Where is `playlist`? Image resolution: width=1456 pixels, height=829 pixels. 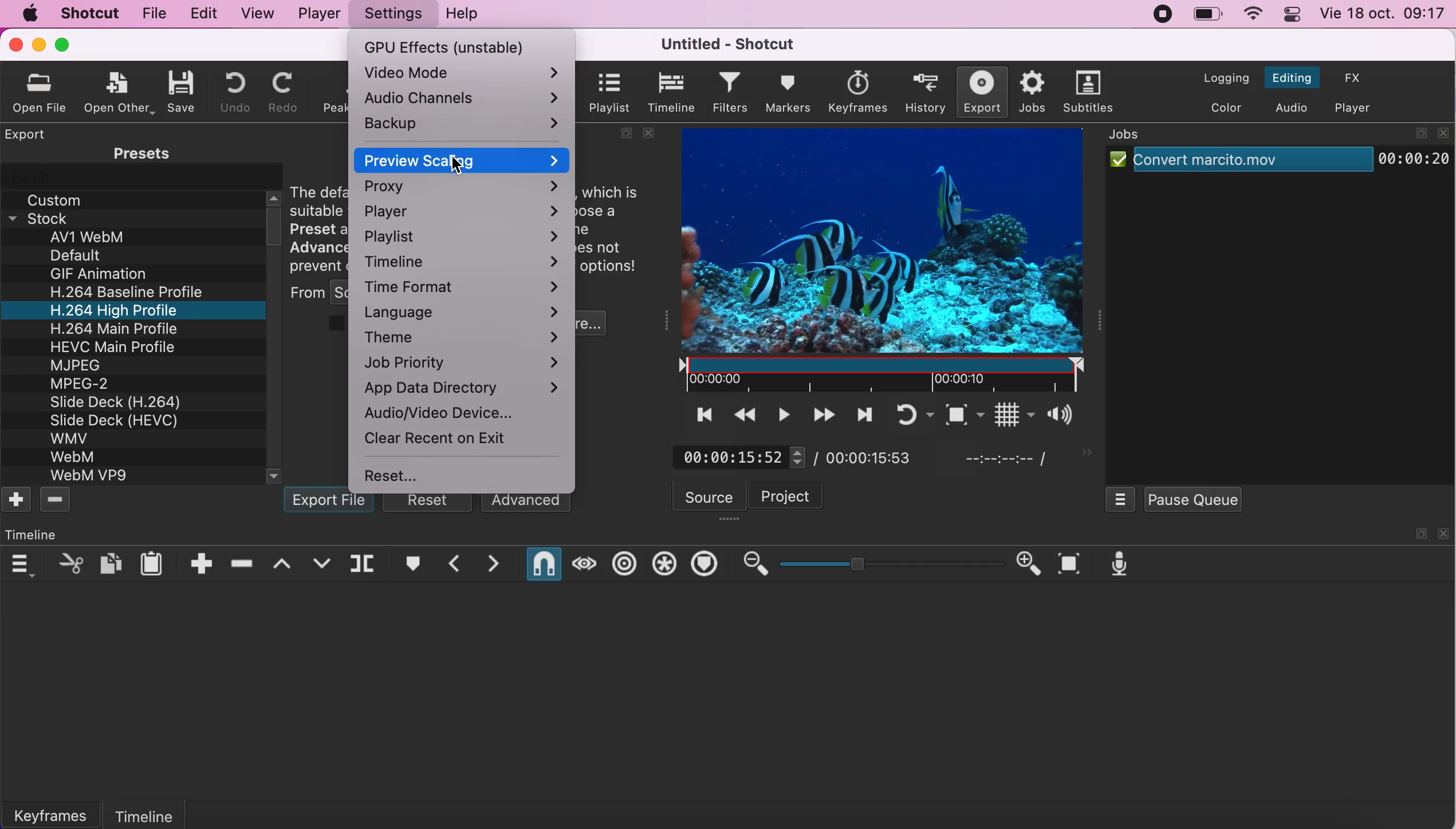 playlist is located at coordinates (608, 92).